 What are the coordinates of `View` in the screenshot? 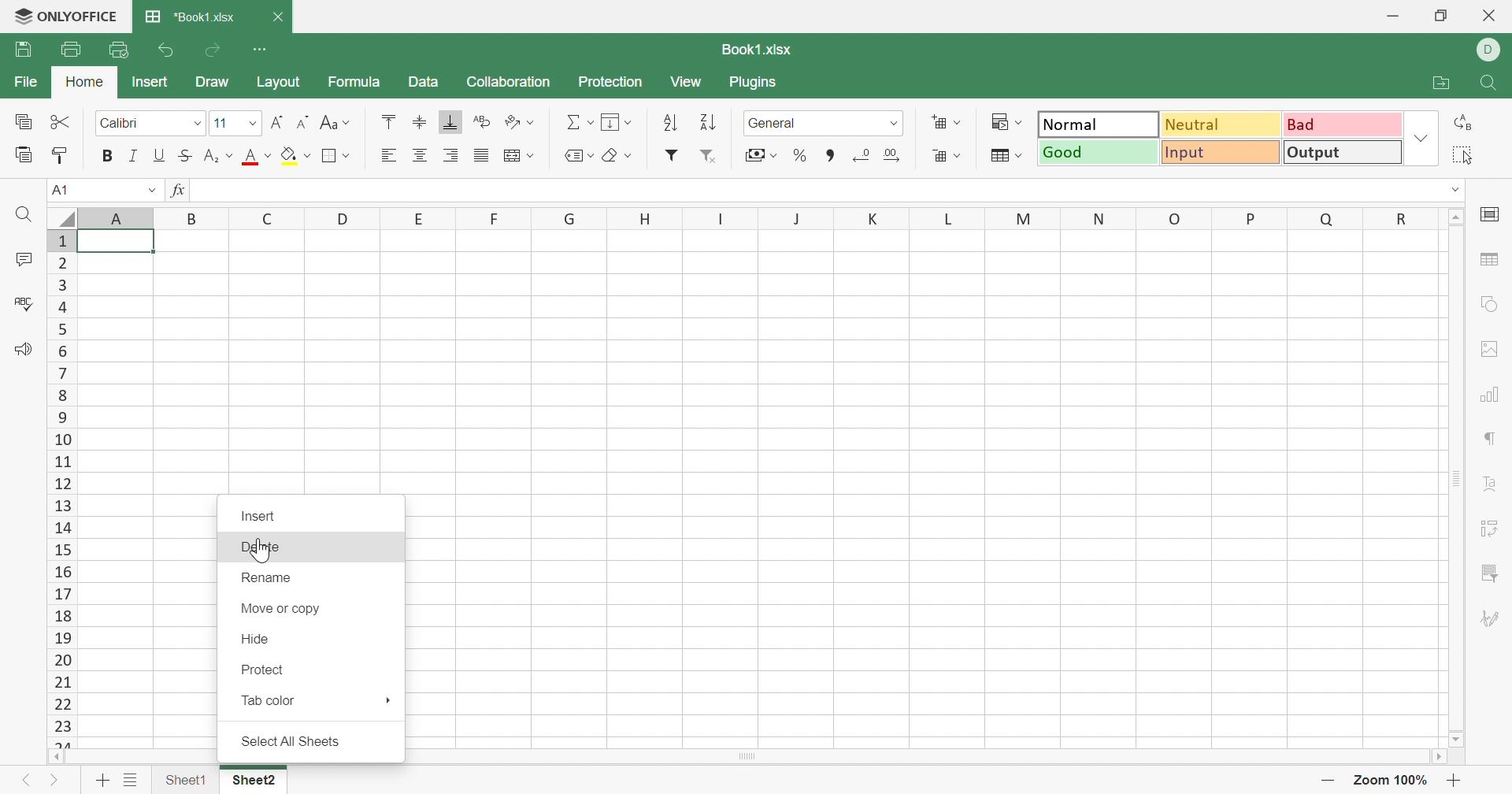 It's located at (687, 82).